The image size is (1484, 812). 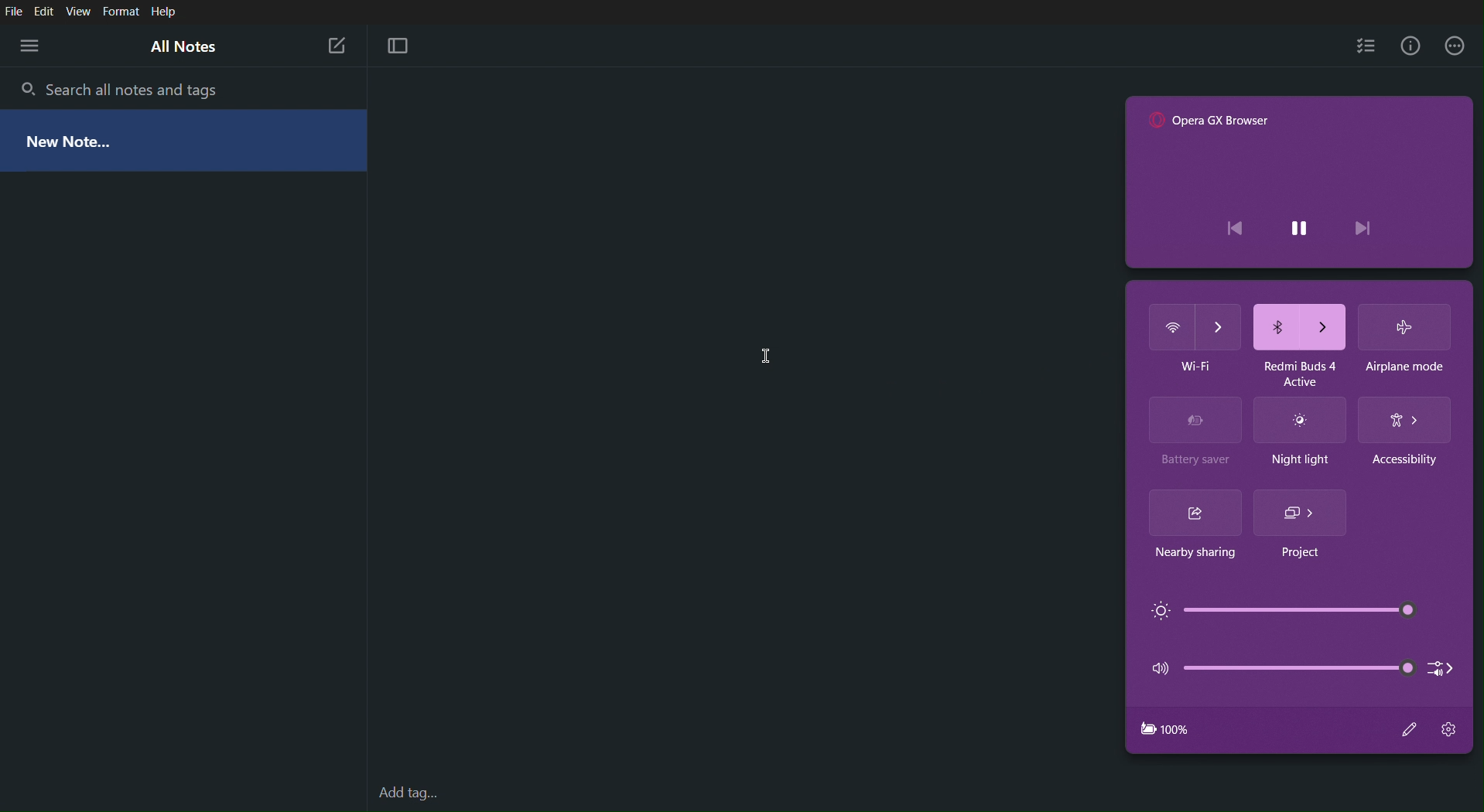 What do you see at coordinates (1407, 46) in the screenshot?
I see `Info` at bounding box center [1407, 46].